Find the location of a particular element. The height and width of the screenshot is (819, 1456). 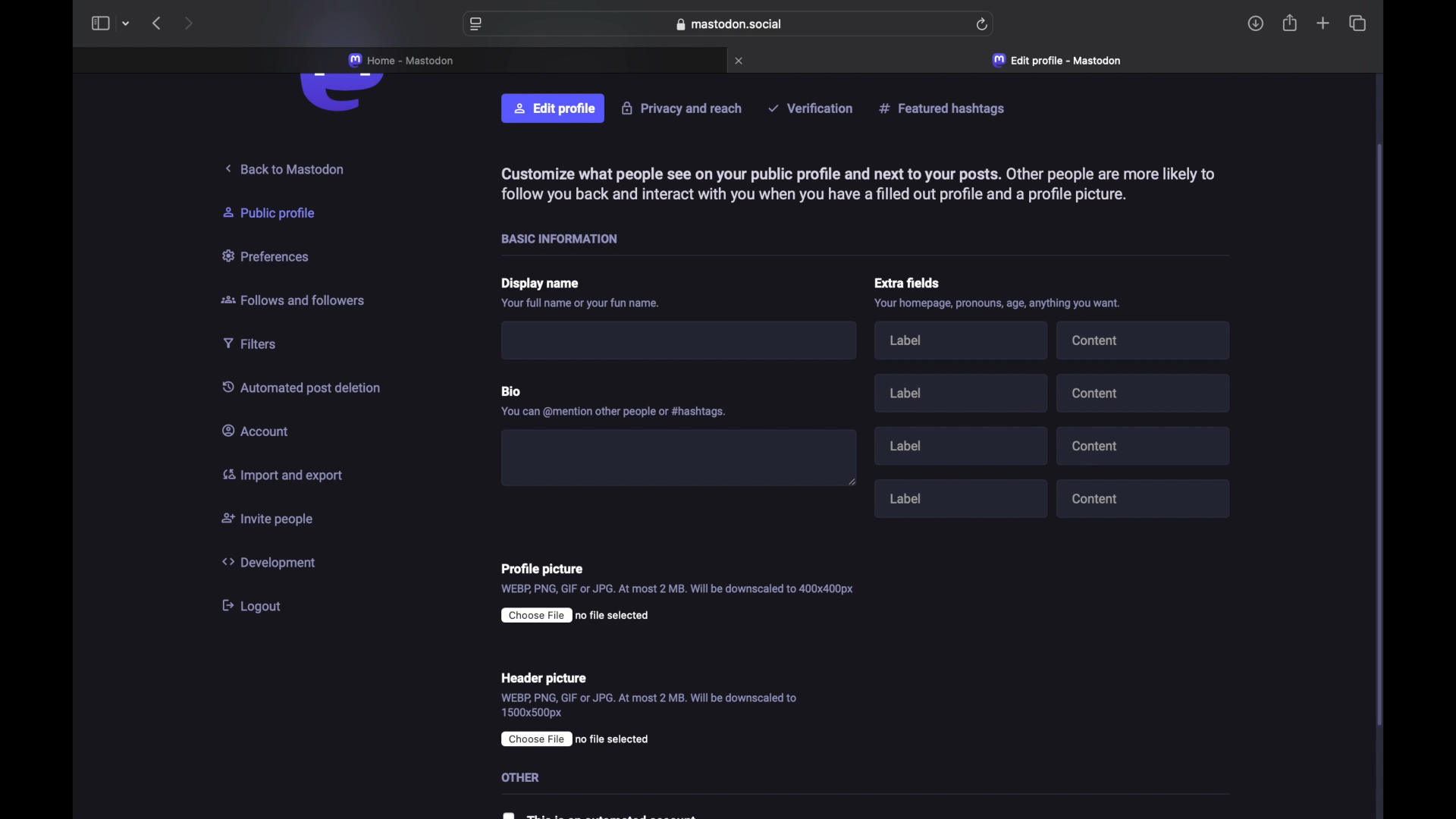

show tab overview is located at coordinates (1357, 23).